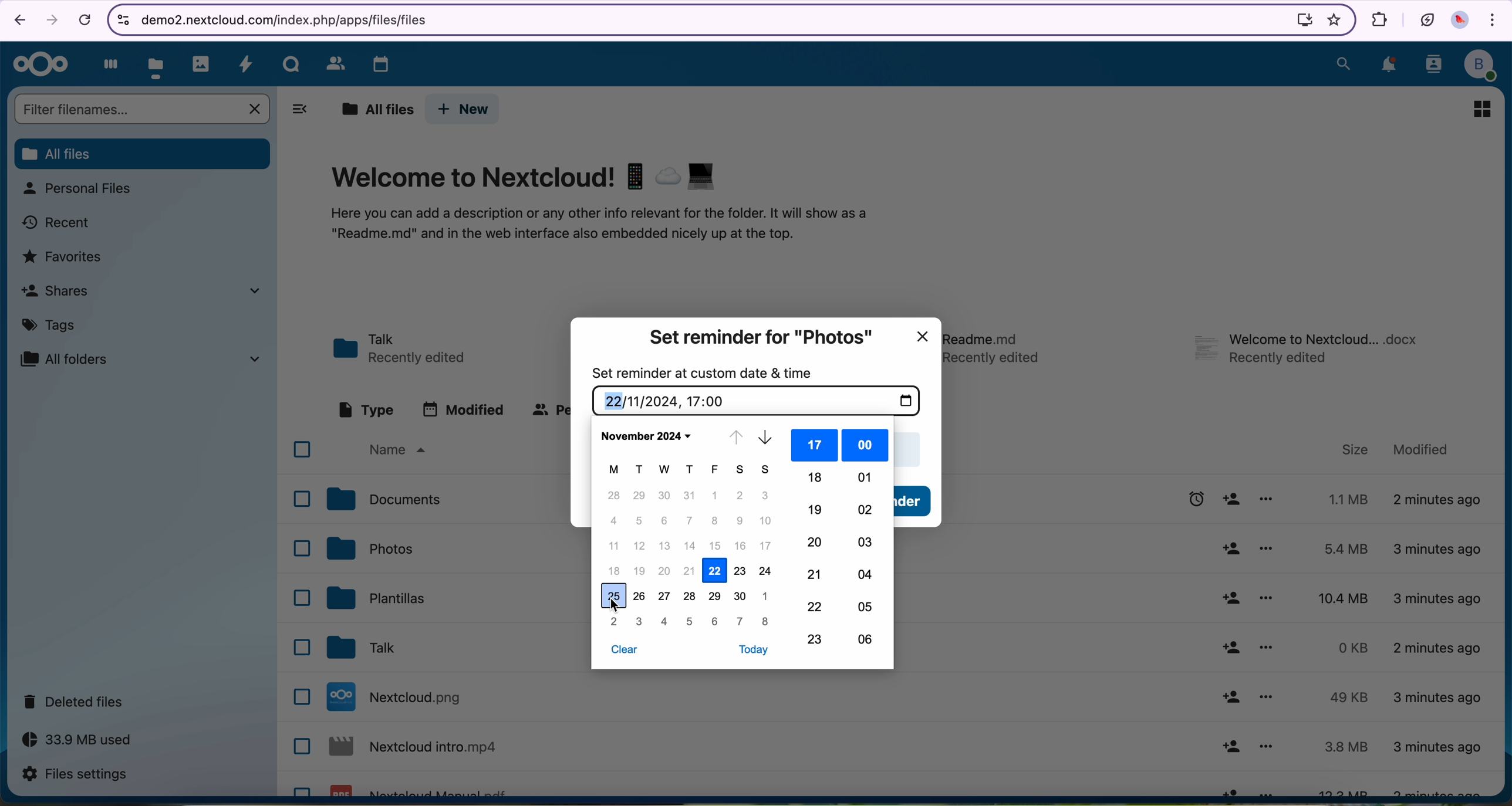 This screenshot has width=1512, height=806. What do you see at coordinates (767, 622) in the screenshot?
I see `8` at bounding box center [767, 622].